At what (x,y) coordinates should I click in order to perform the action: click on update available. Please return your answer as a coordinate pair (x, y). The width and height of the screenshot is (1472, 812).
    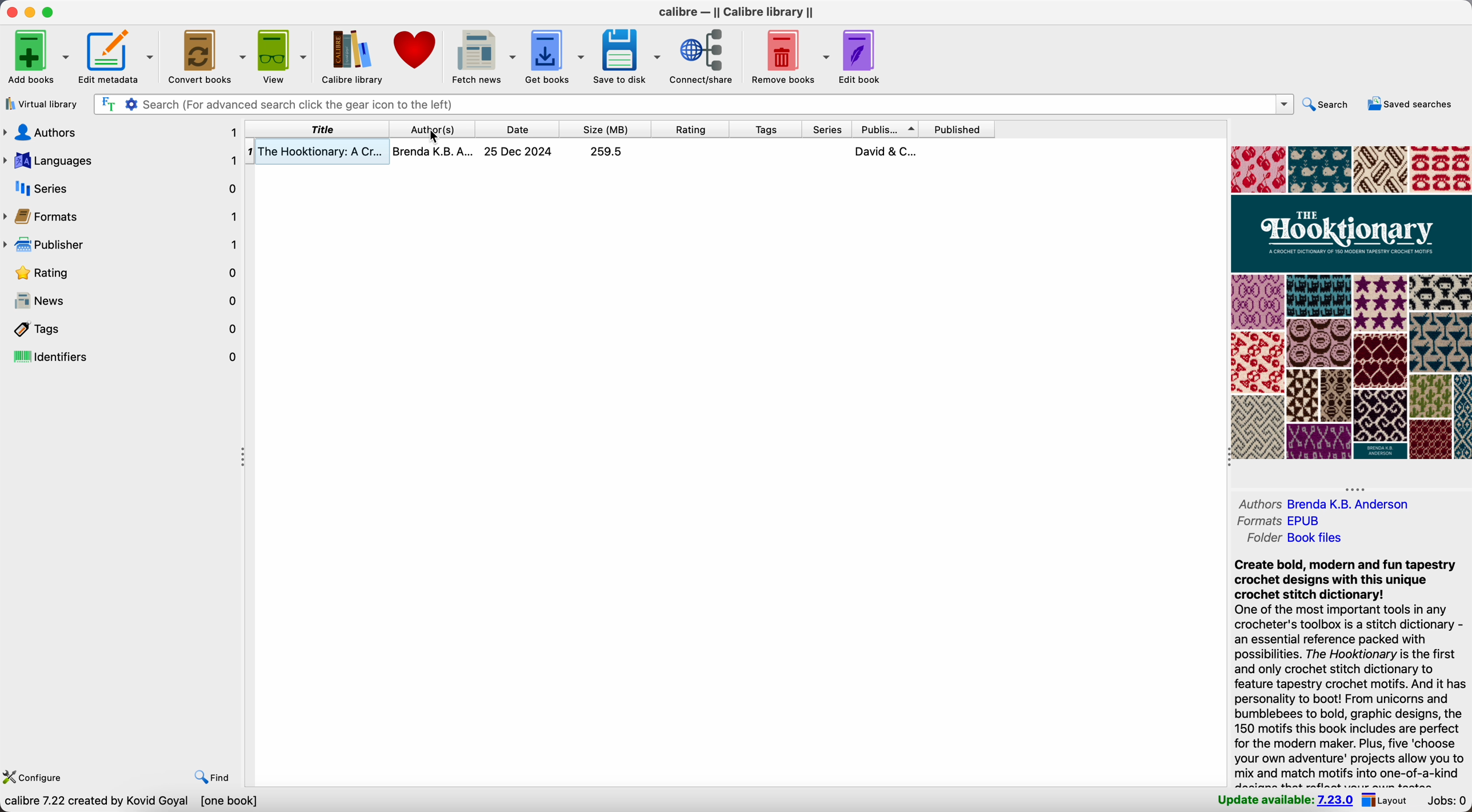
    Looking at the image, I should click on (1282, 801).